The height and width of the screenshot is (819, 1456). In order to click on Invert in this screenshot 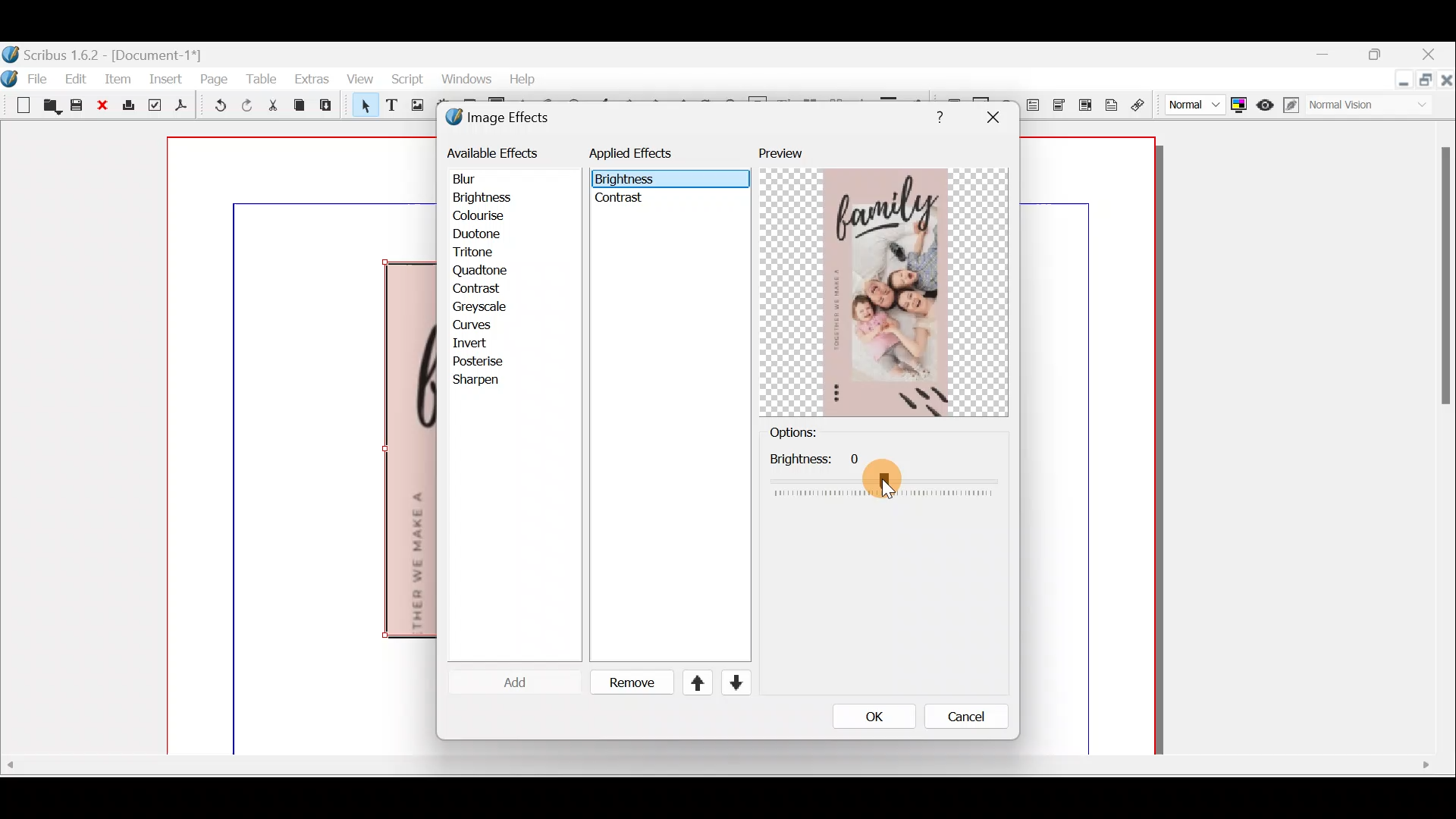, I will do `click(484, 343)`.